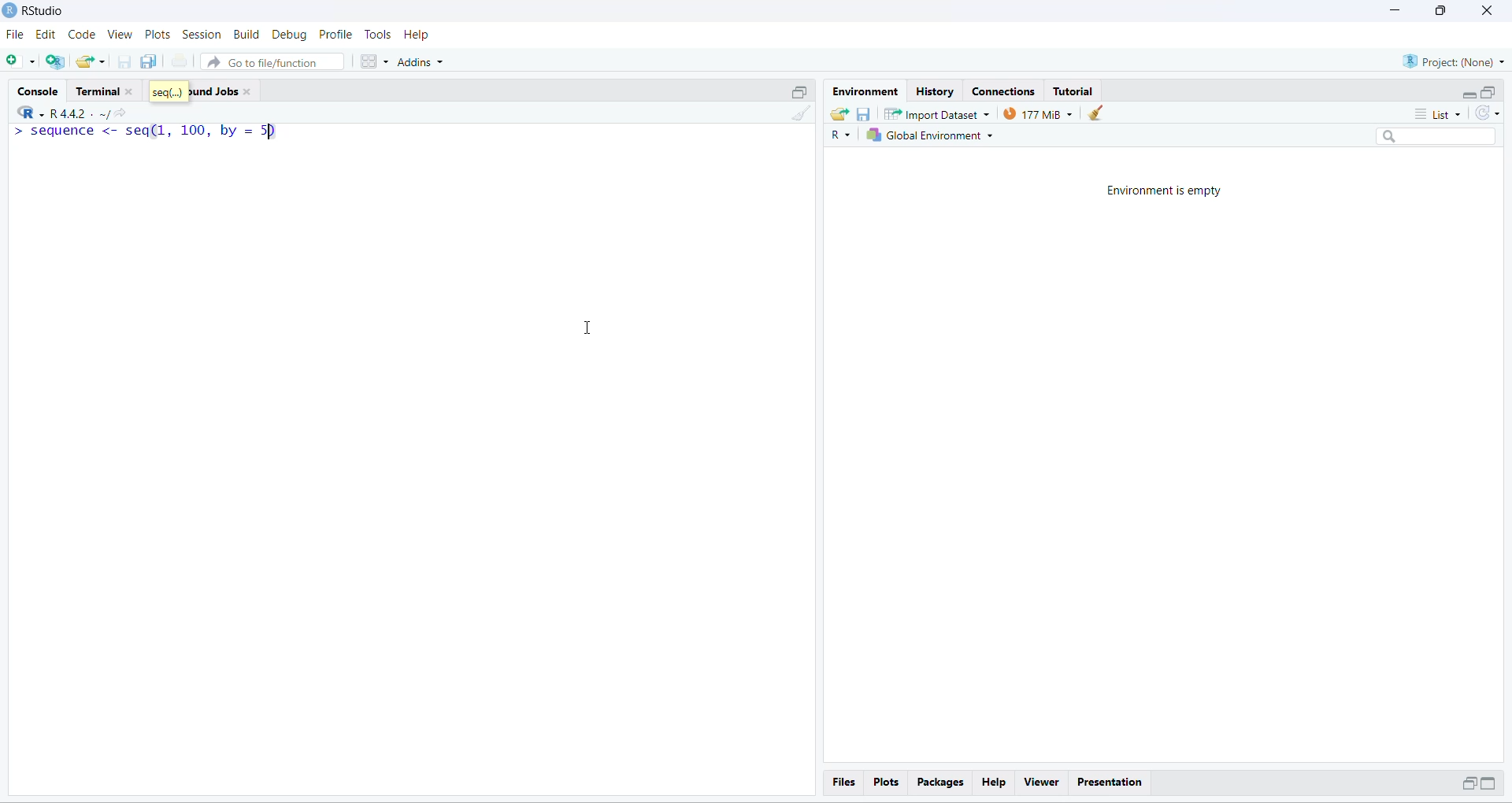  Describe the element at coordinates (1043, 783) in the screenshot. I see `viewer` at that location.